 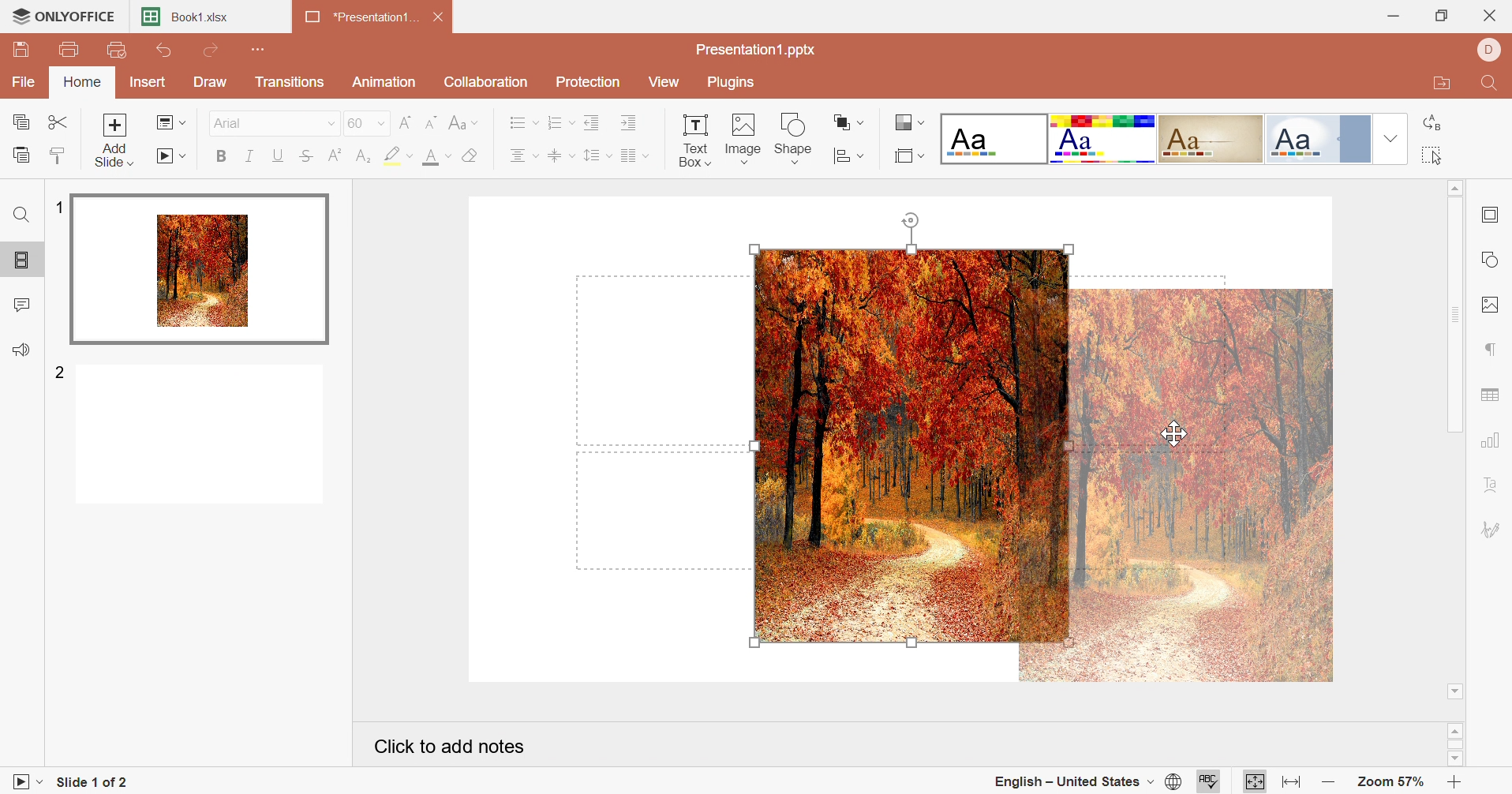 What do you see at coordinates (21, 350) in the screenshot?
I see `Feedback & support` at bounding box center [21, 350].